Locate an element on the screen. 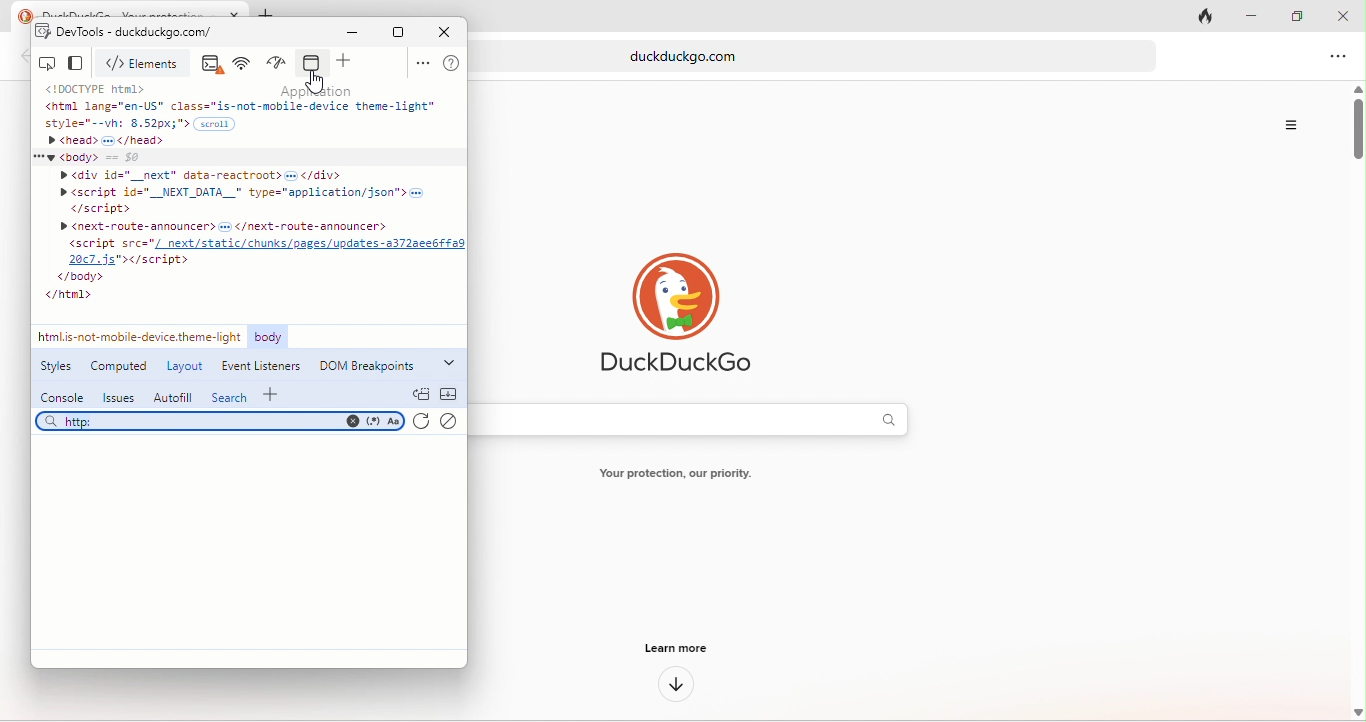 This screenshot has width=1366, height=722. text is located at coordinates (686, 475).